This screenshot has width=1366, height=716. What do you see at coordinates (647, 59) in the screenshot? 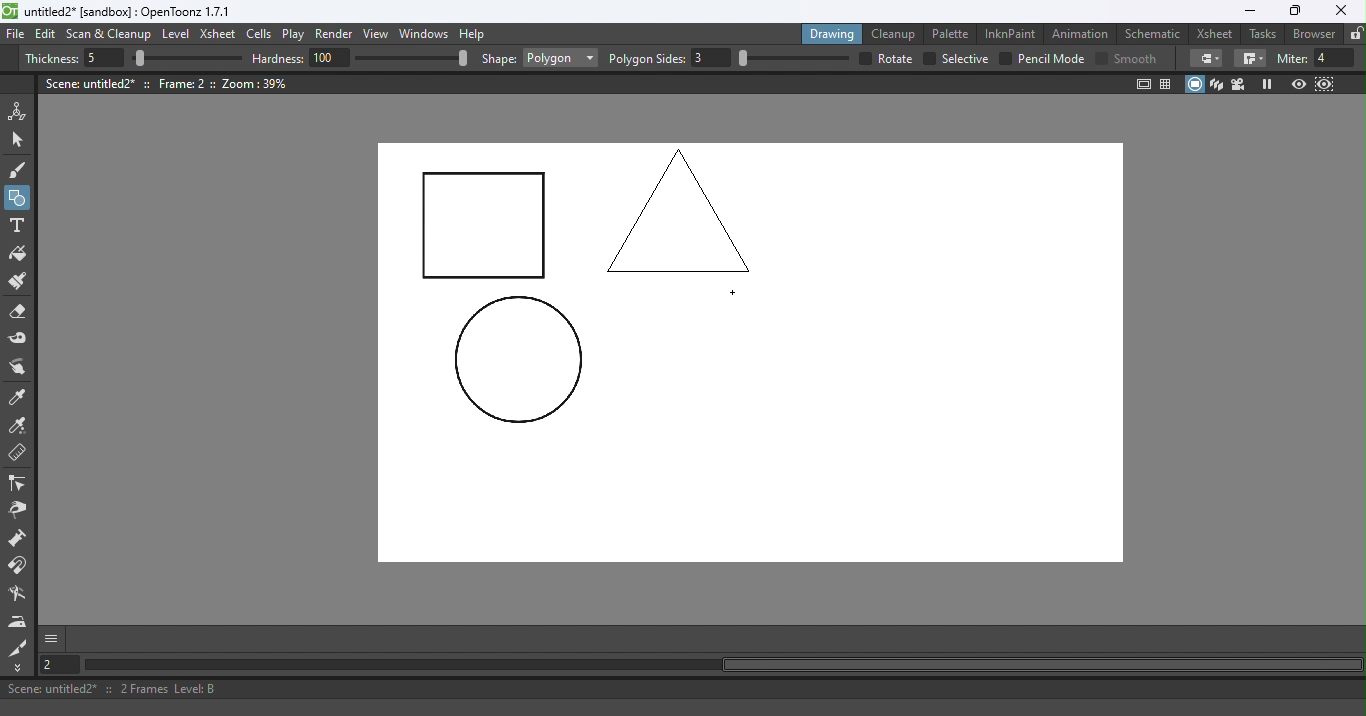
I see `Polygon slides` at bounding box center [647, 59].